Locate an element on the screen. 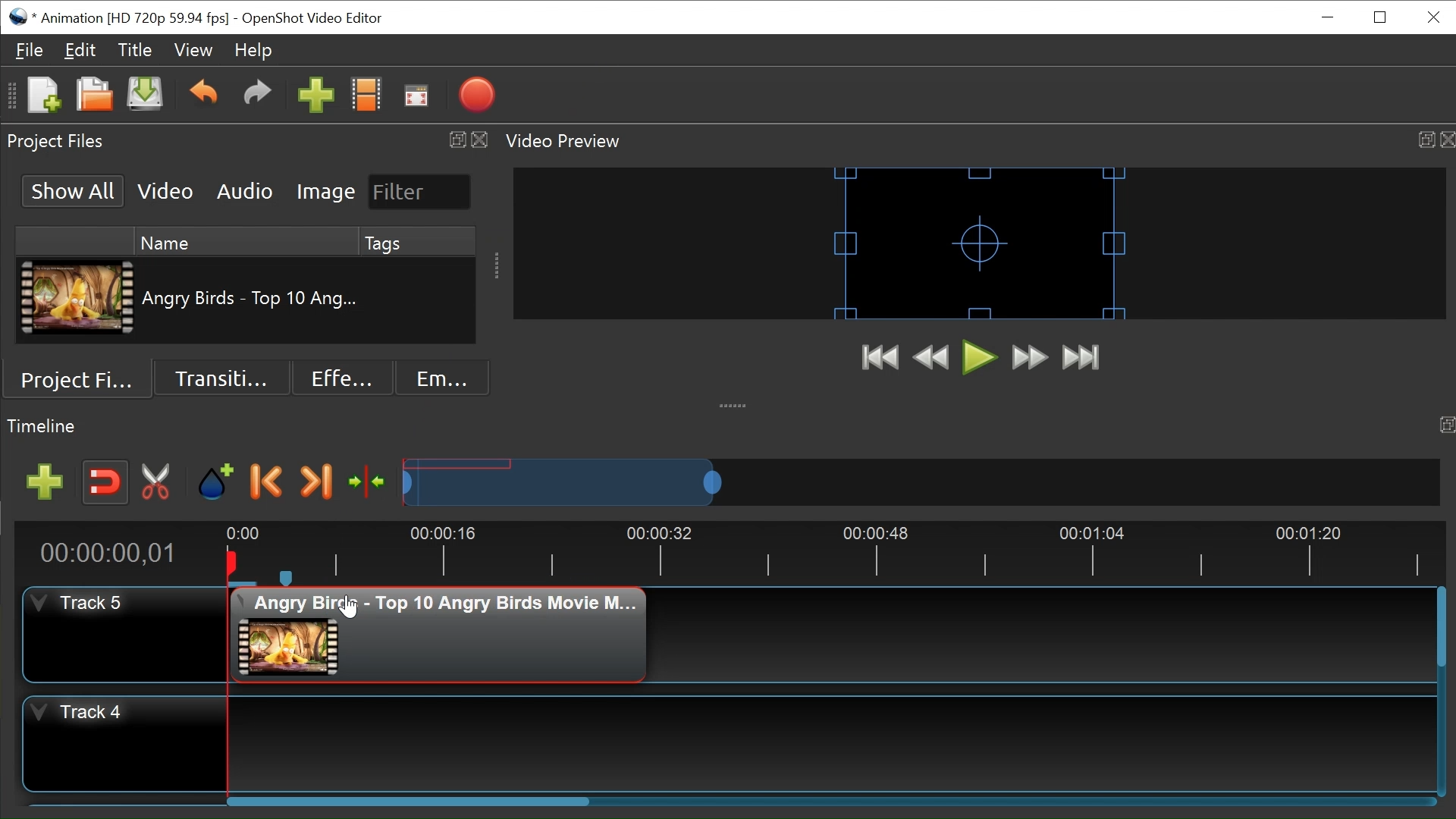 Image resolution: width=1456 pixels, height=819 pixels. Video Preview Panel is located at coordinates (979, 142).